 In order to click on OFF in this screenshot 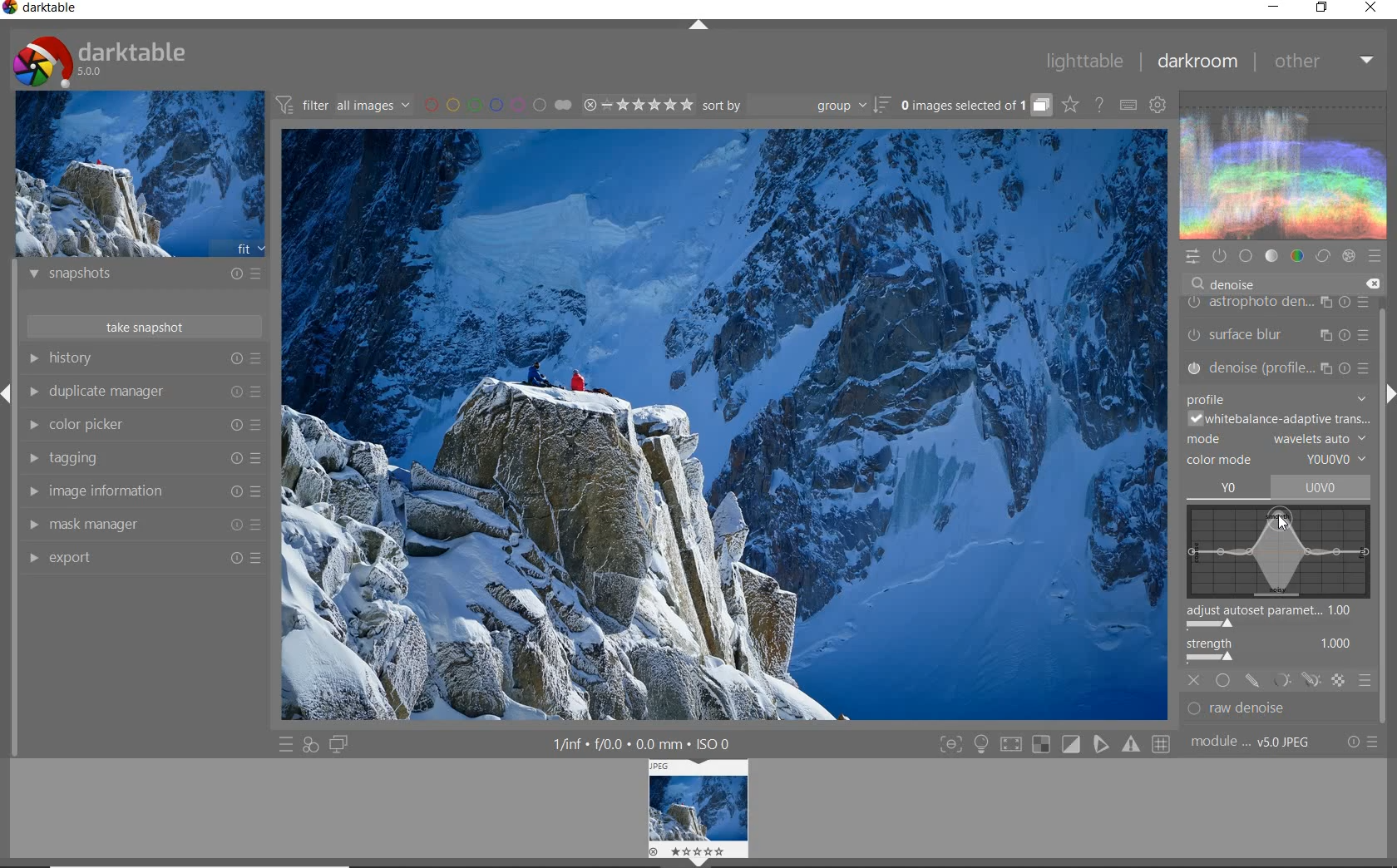, I will do `click(1195, 679)`.